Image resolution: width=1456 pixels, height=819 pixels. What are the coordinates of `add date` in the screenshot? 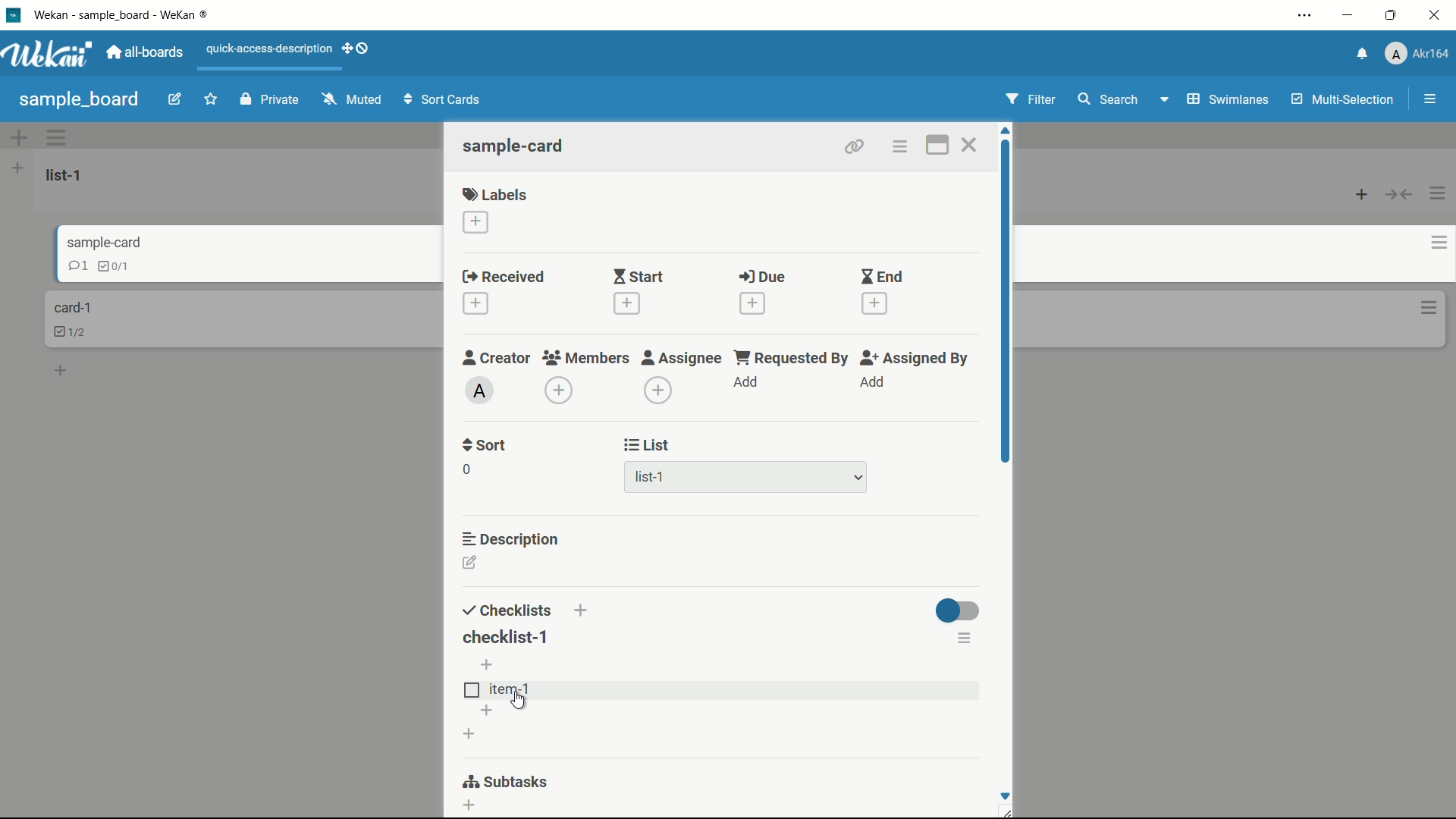 It's located at (754, 303).